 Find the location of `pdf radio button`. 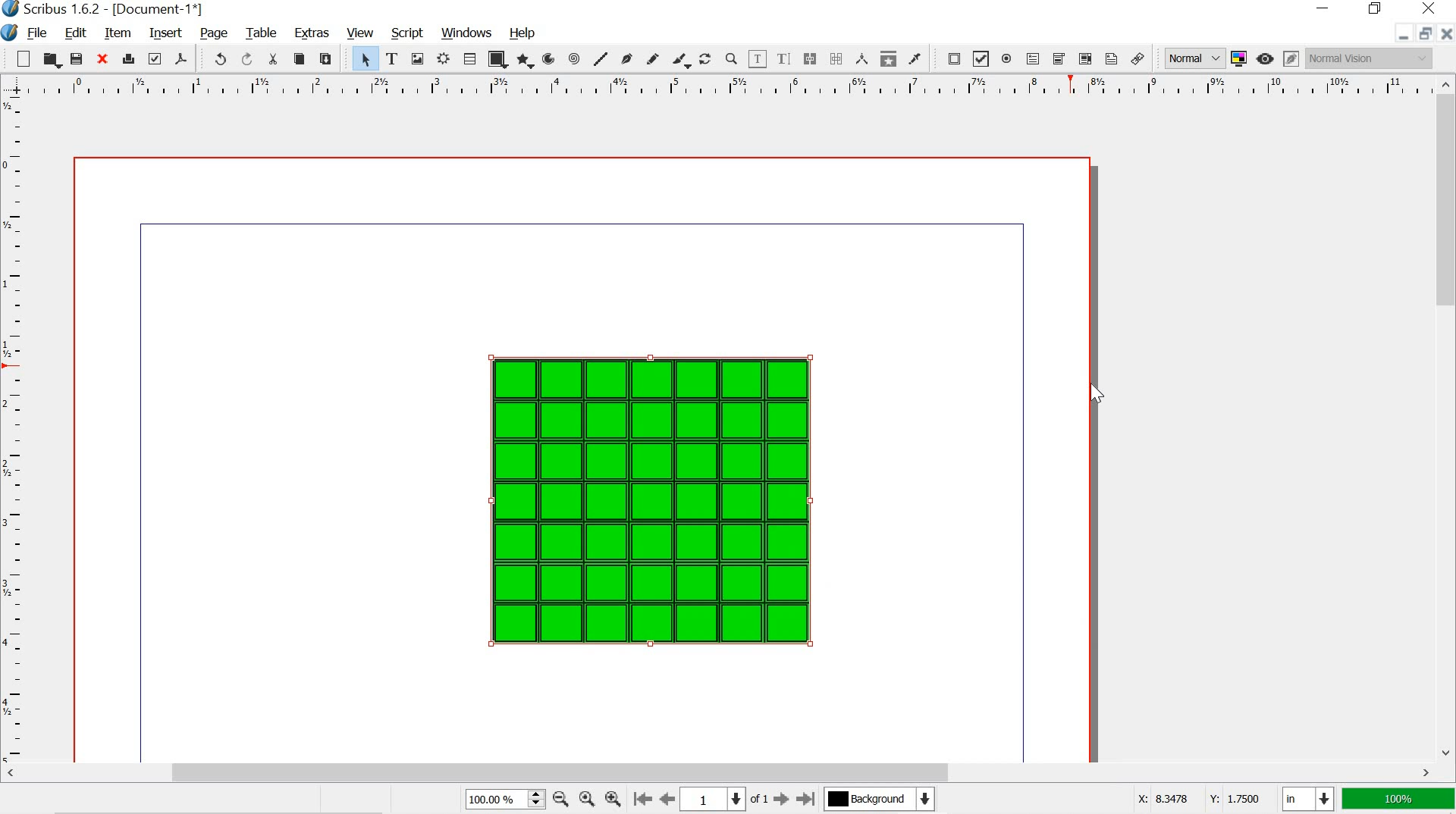

pdf radio button is located at coordinates (1006, 59).